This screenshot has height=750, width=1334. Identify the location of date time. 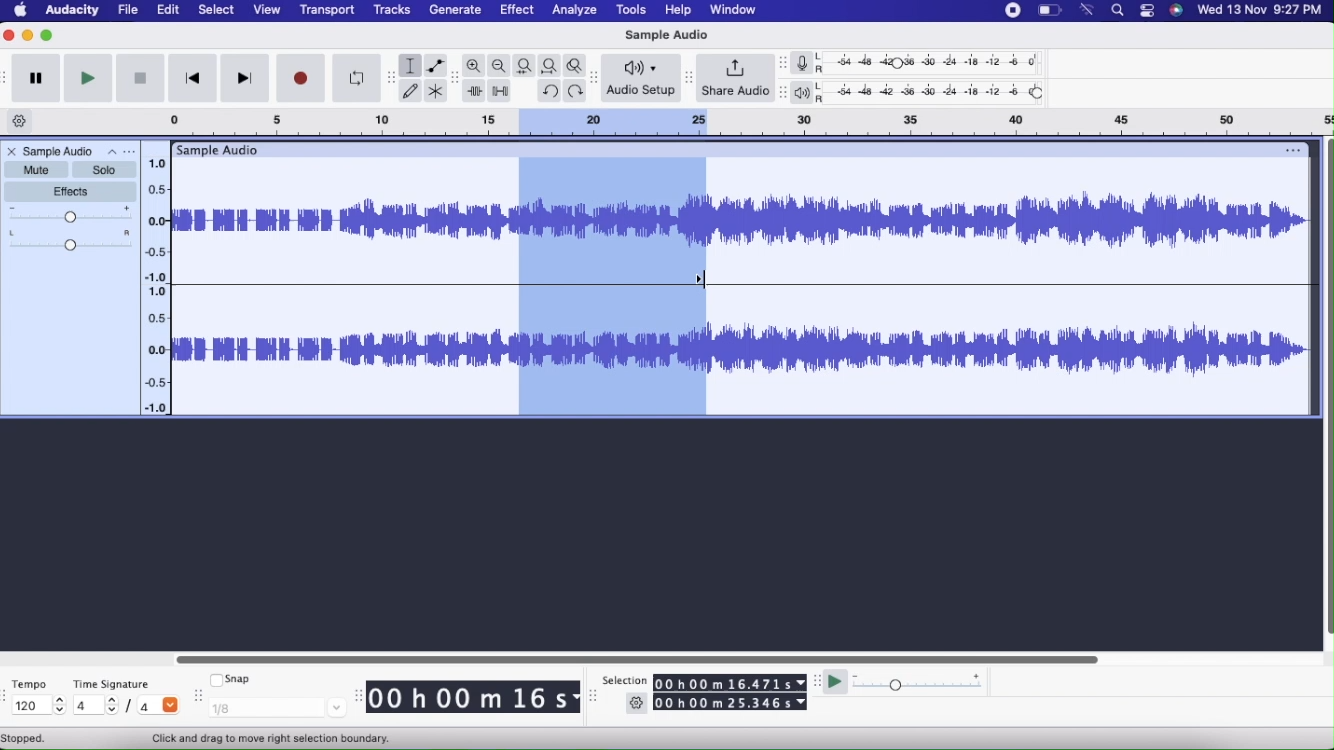
(1260, 9).